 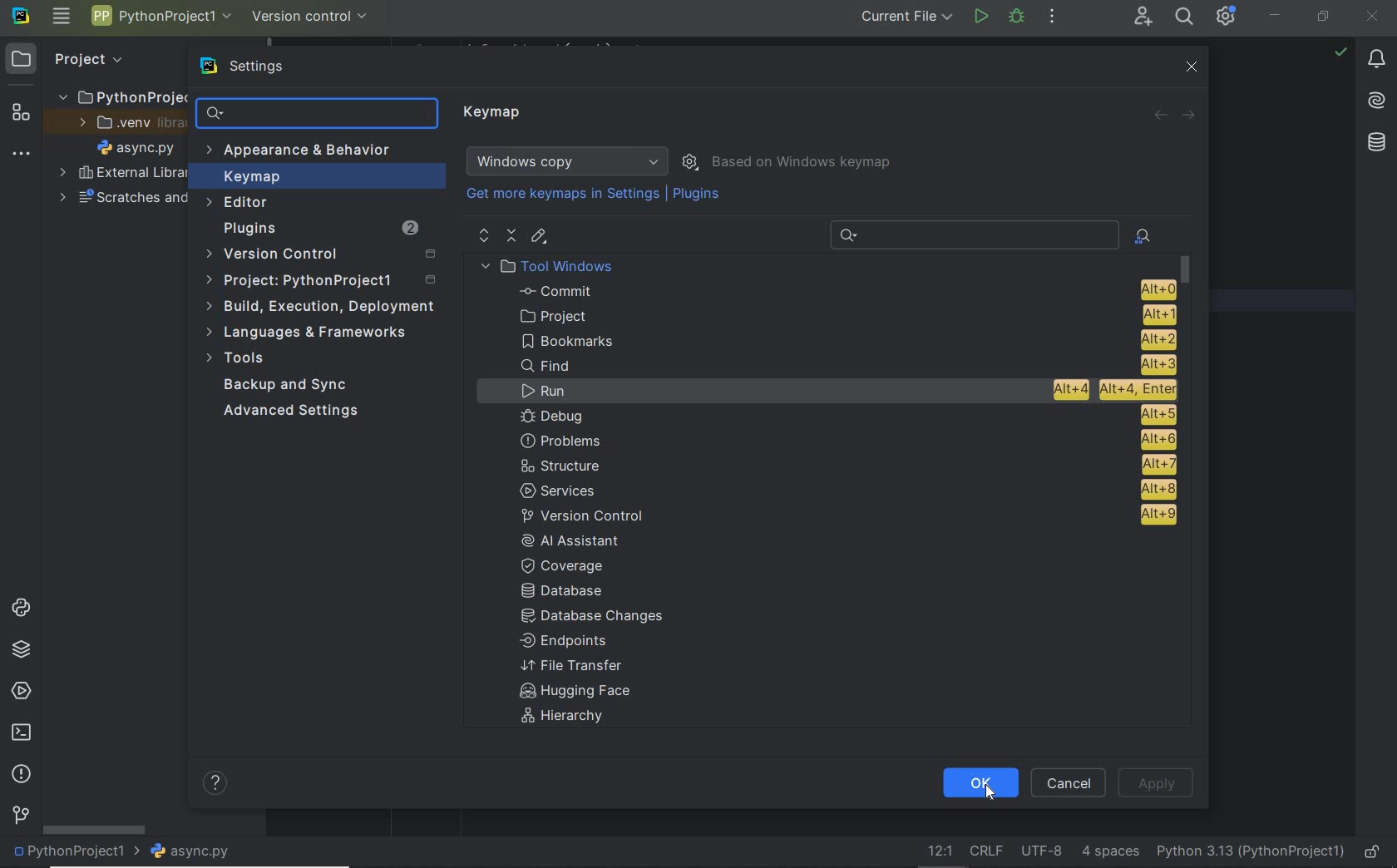 I want to click on notifications, so click(x=1377, y=60).